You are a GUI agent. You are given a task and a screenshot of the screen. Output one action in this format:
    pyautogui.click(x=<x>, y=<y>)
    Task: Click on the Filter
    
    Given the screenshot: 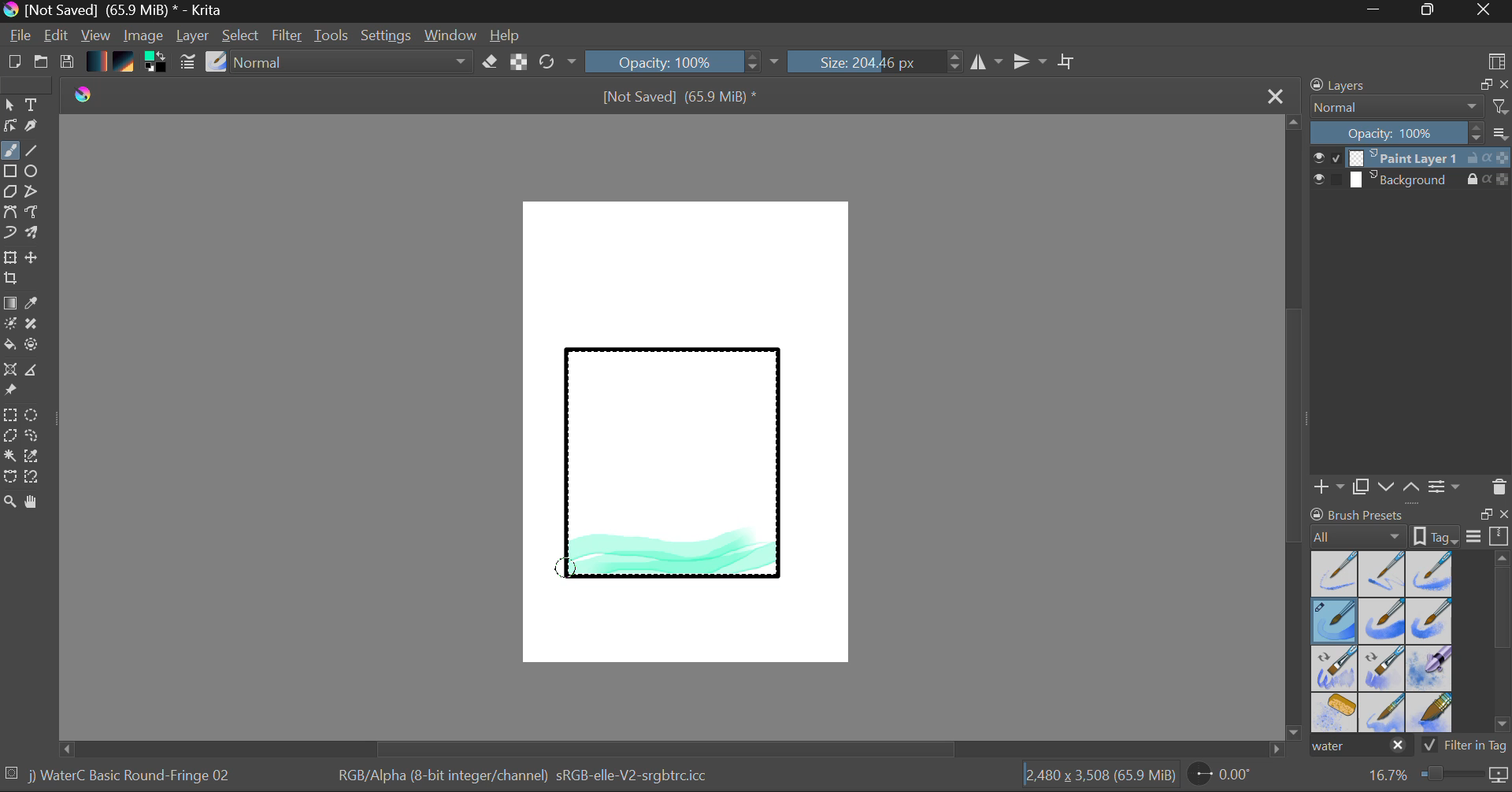 What is the action you would take?
    pyautogui.click(x=289, y=38)
    